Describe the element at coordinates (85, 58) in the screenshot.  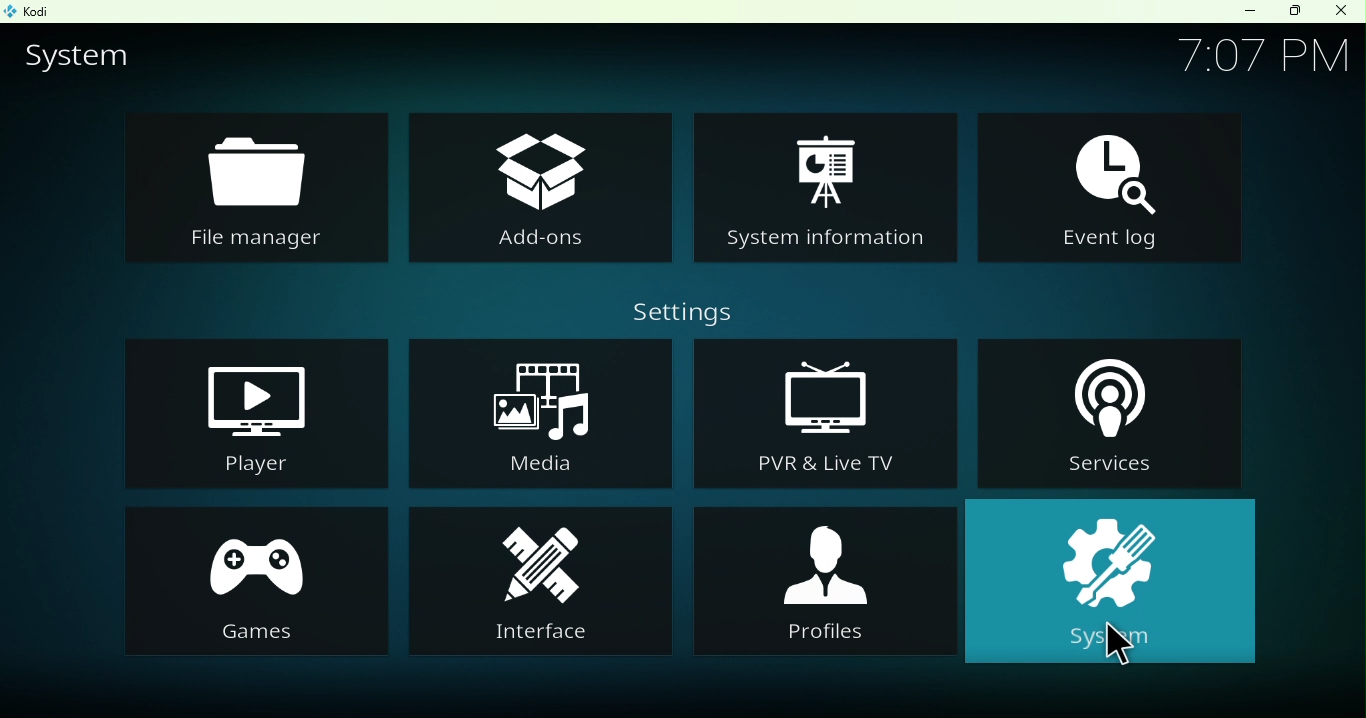
I see `System` at that location.